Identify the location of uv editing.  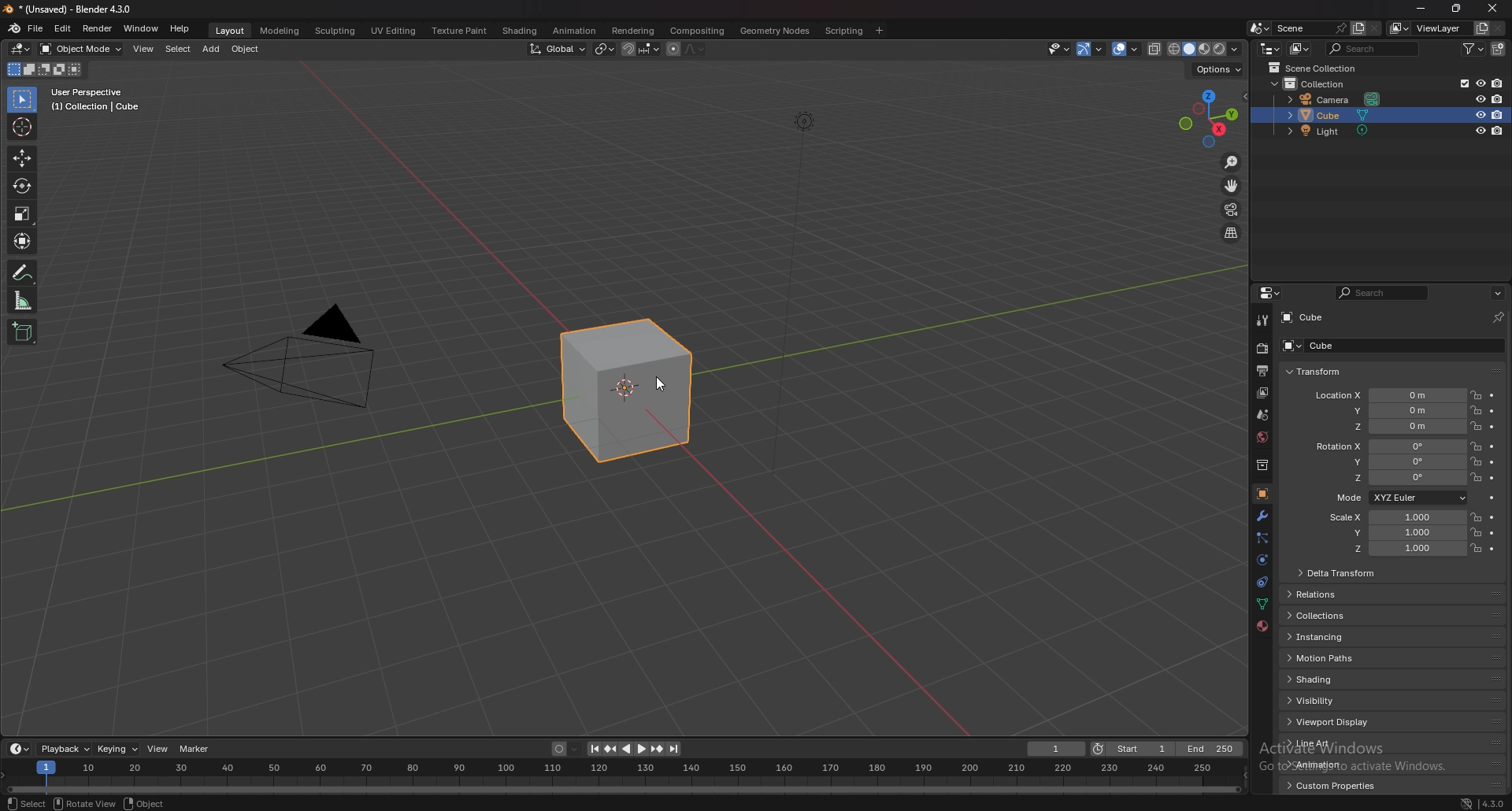
(395, 31).